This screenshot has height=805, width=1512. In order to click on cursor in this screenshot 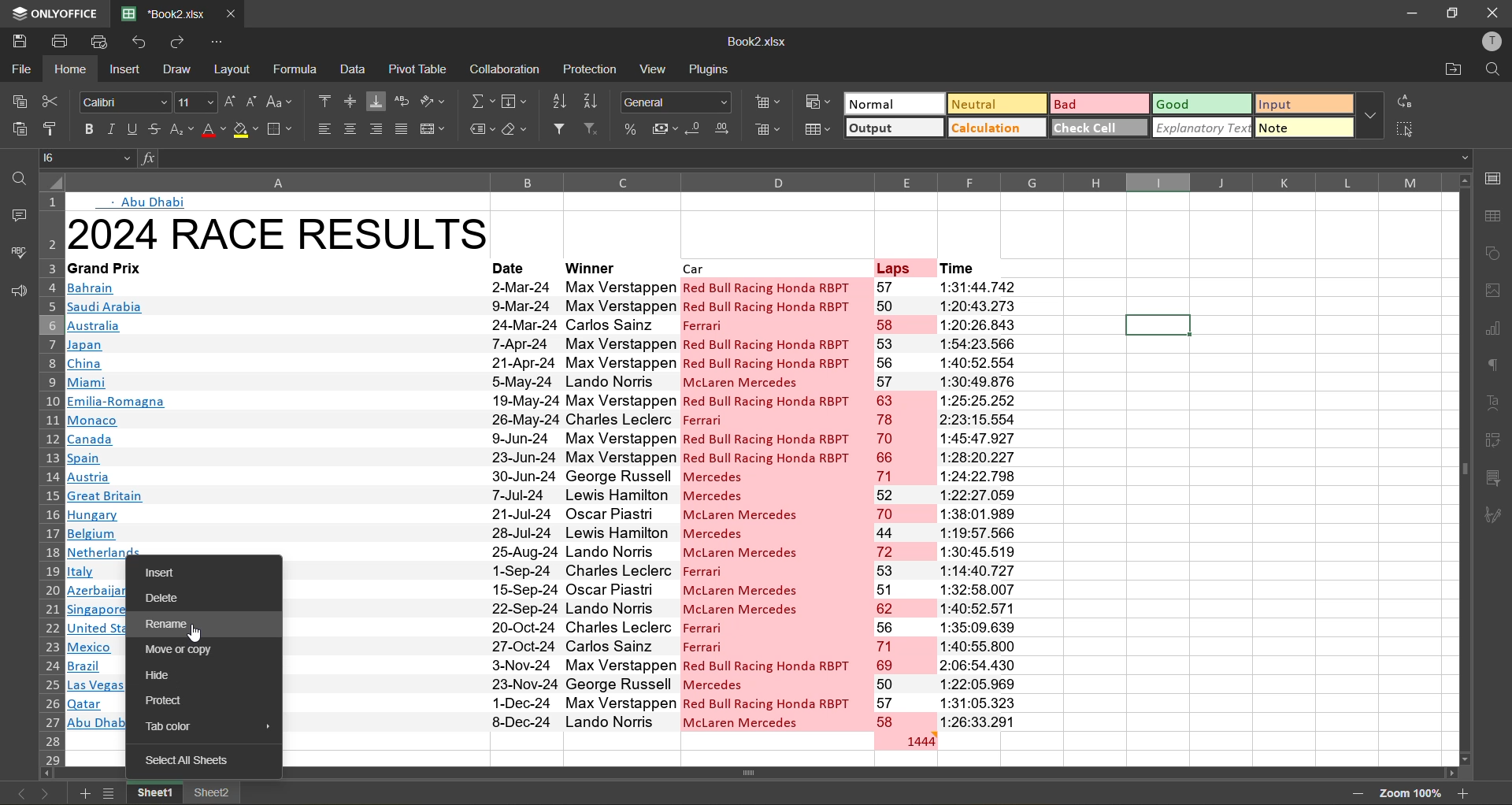, I will do `click(195, 636)`.